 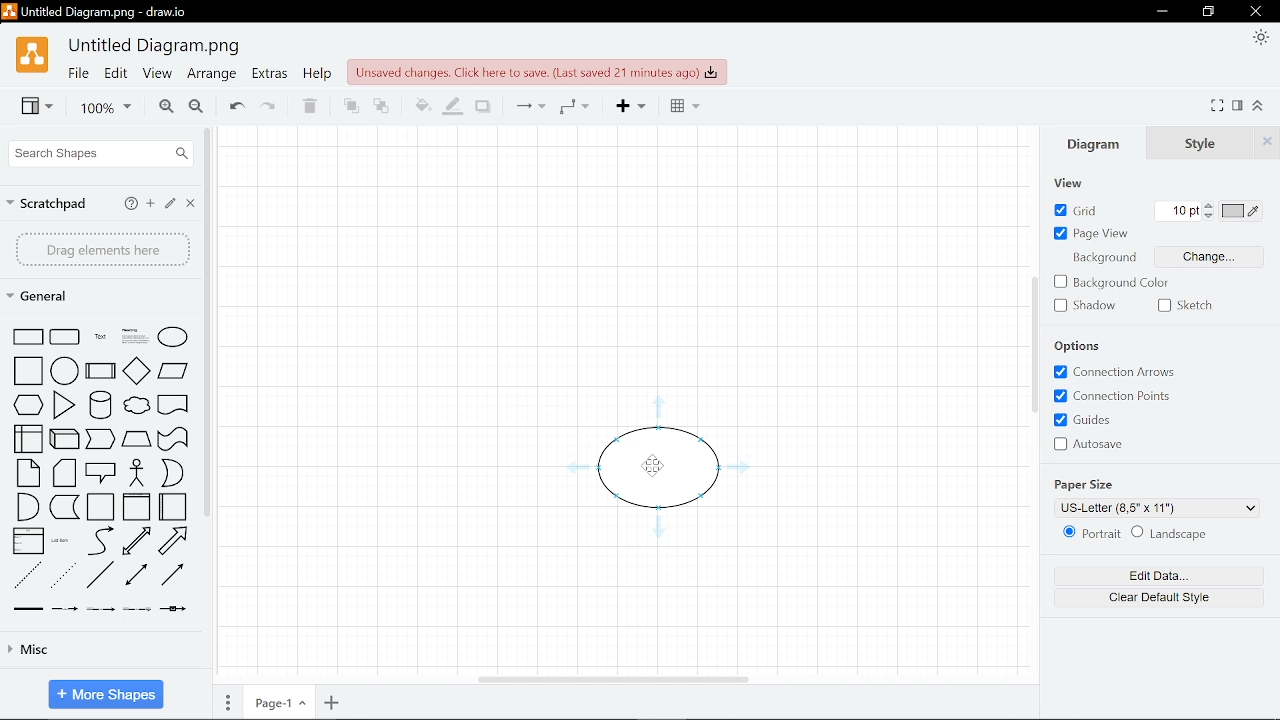 I want to click on Close, so click(x=1255, y=12).